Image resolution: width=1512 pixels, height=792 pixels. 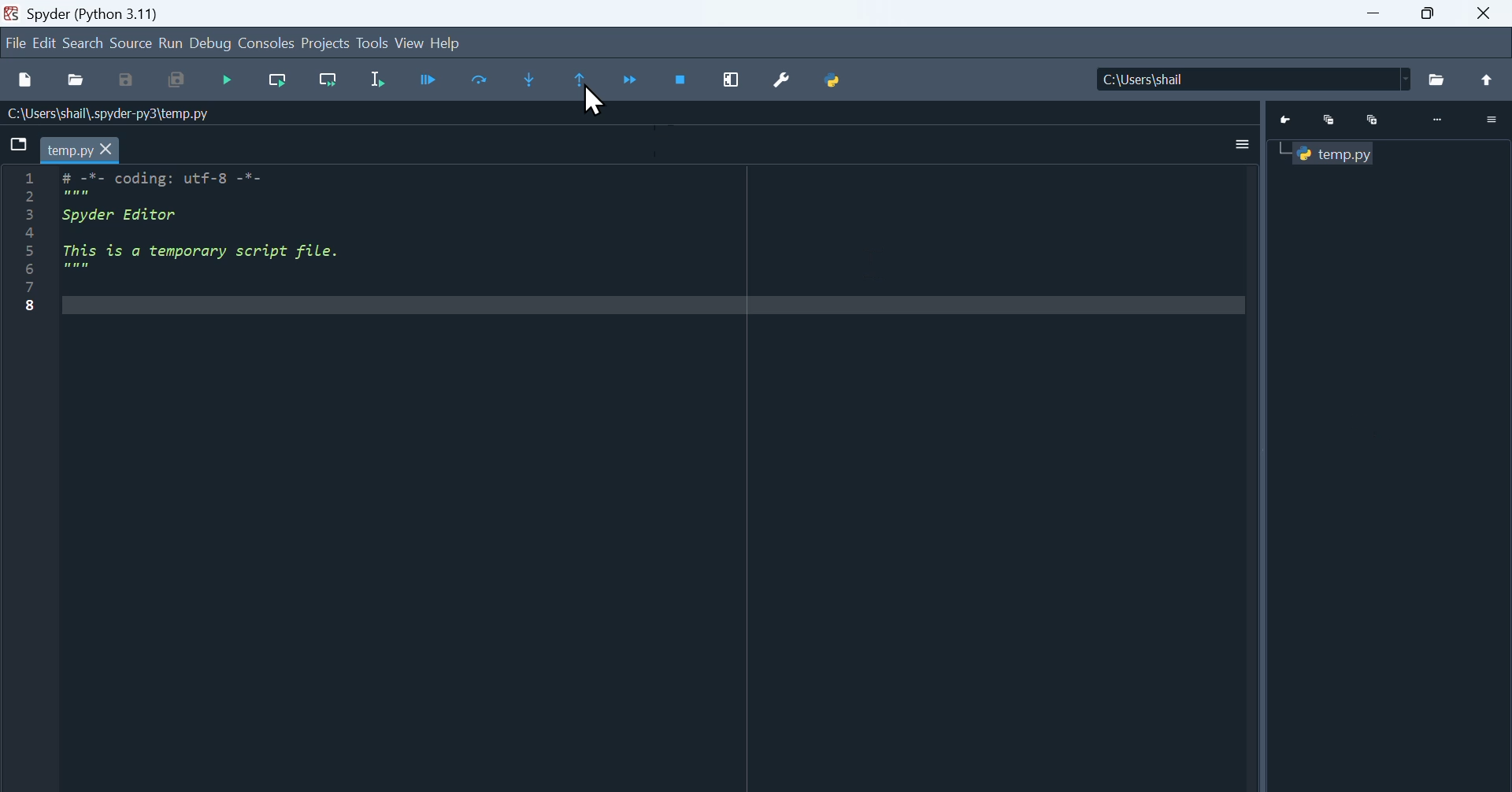 I want to click on Maximize, so click(x=1373, y=120).